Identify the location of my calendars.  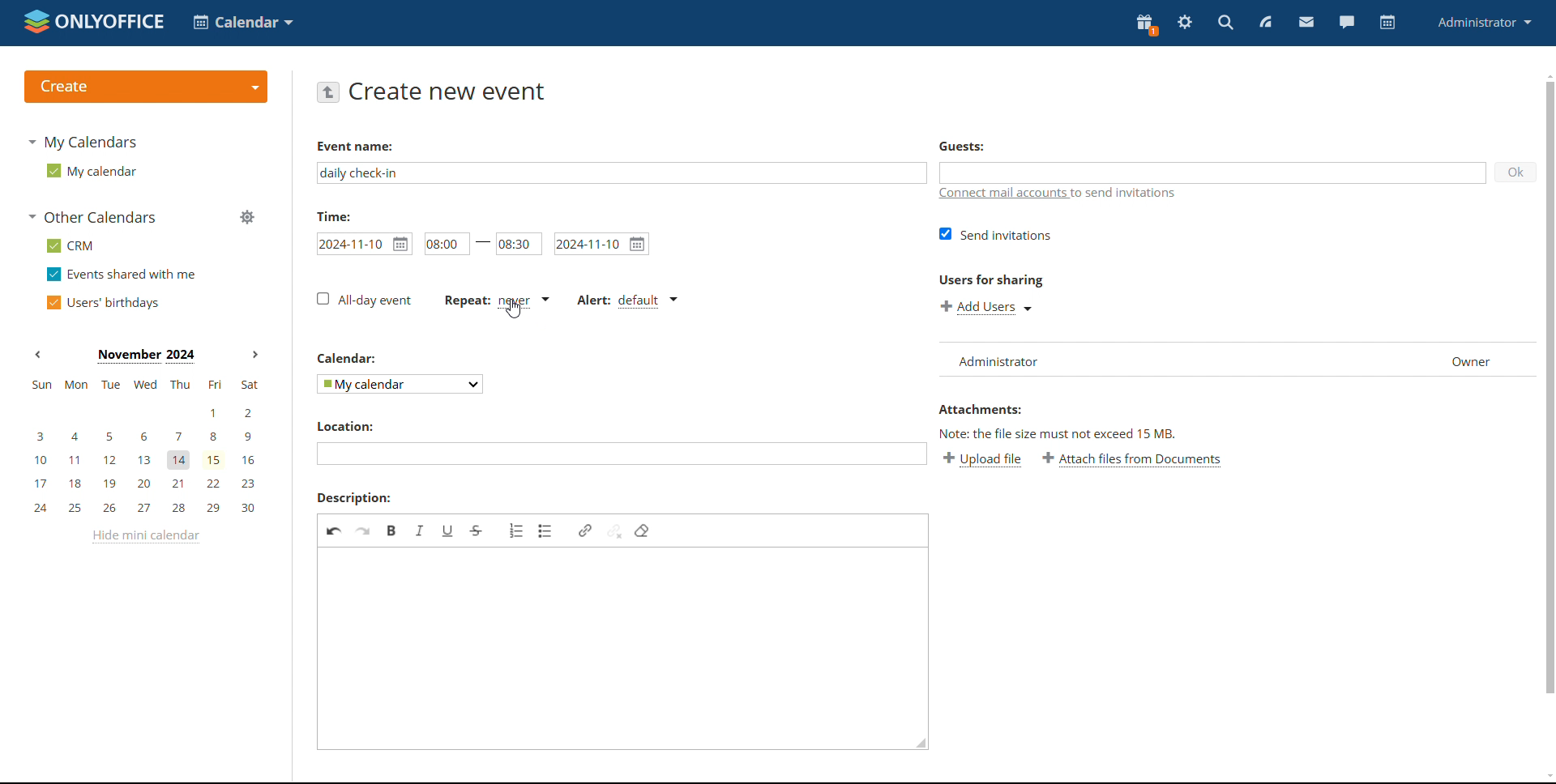
(83, 141).